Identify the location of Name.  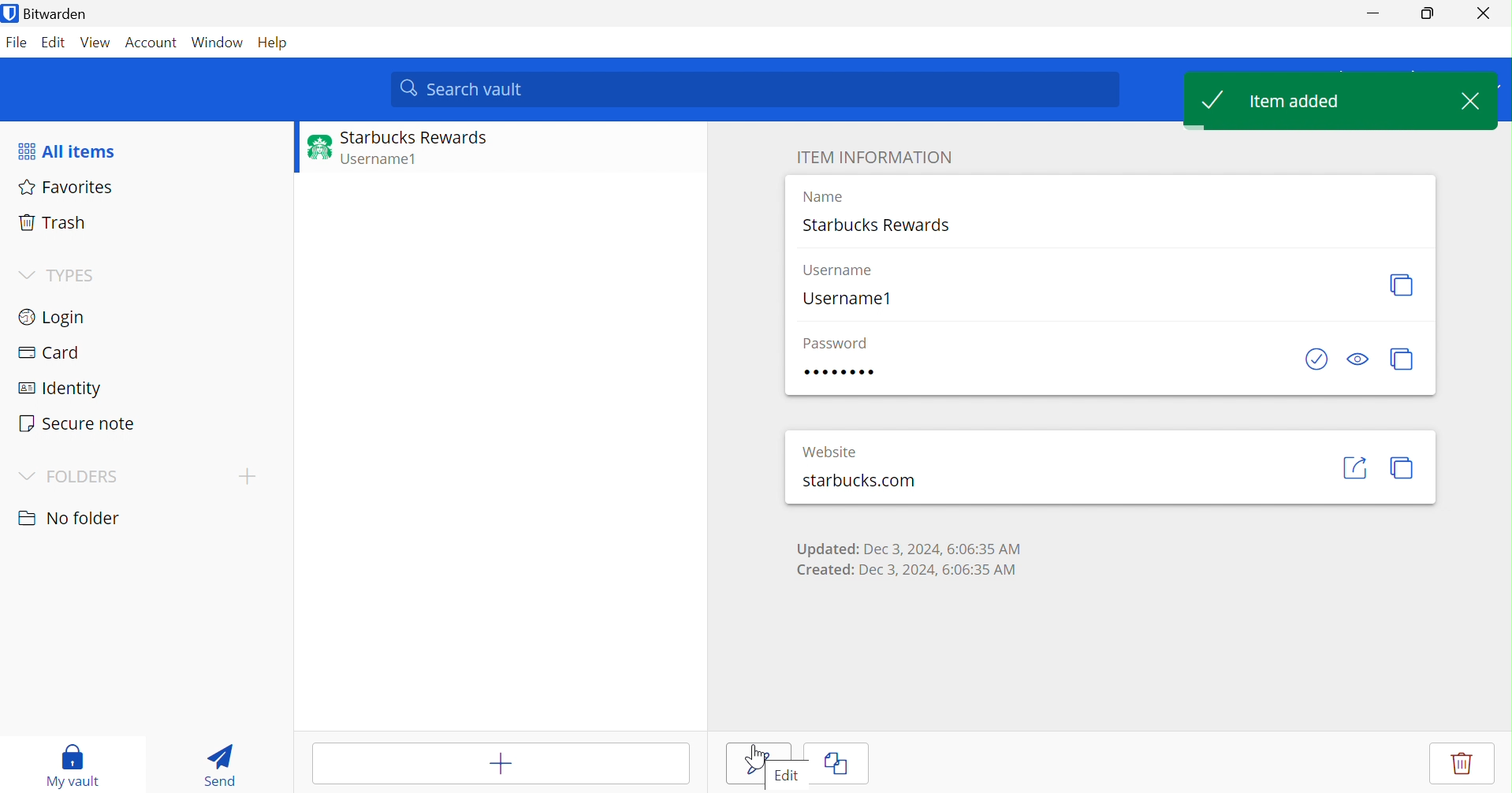
(824, 200).